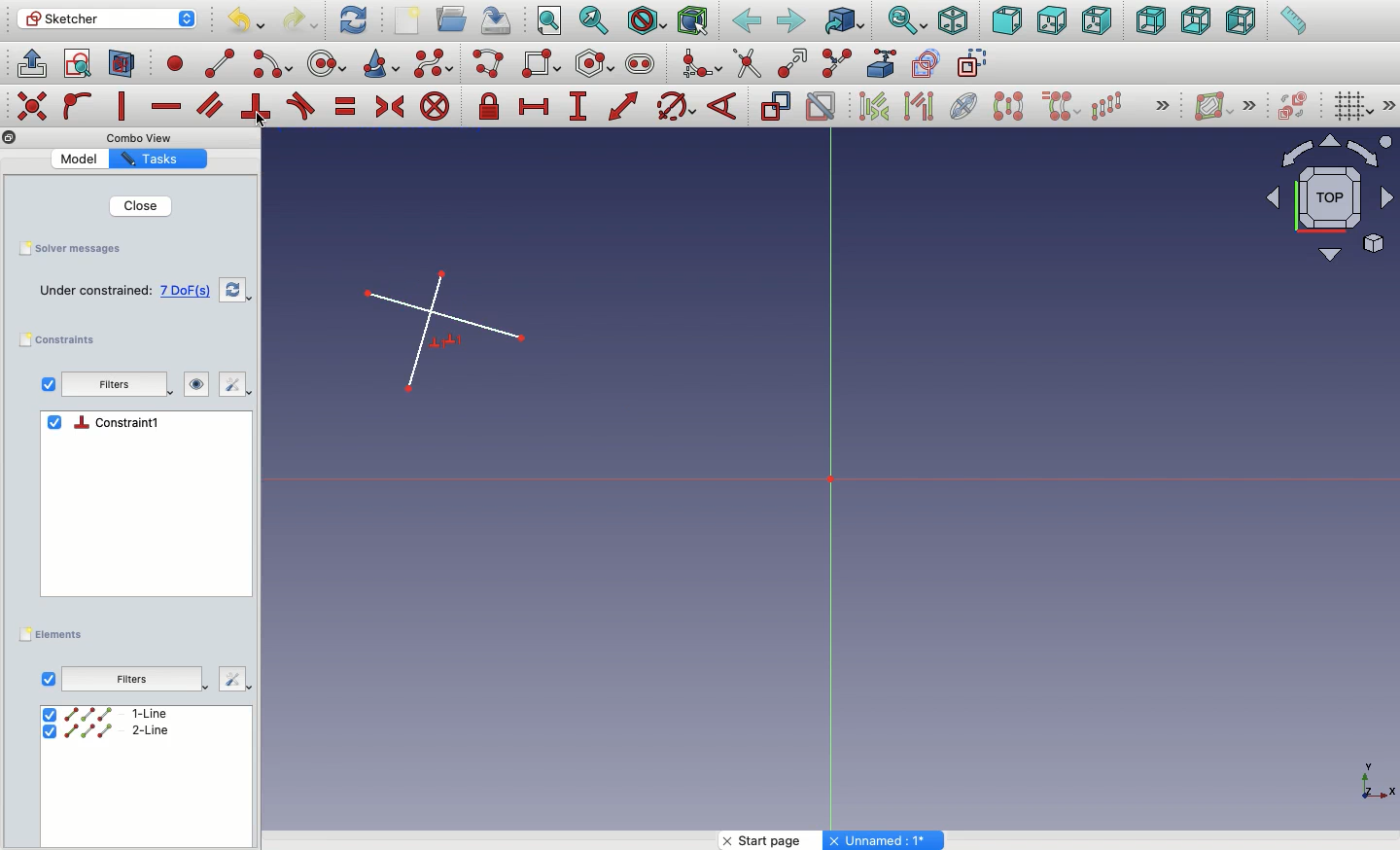 The width and height of the screenshot is (1400, 850). Describe the element at coordinates (624, 106) in the screenshot. I see `Constrain distance` at that location.